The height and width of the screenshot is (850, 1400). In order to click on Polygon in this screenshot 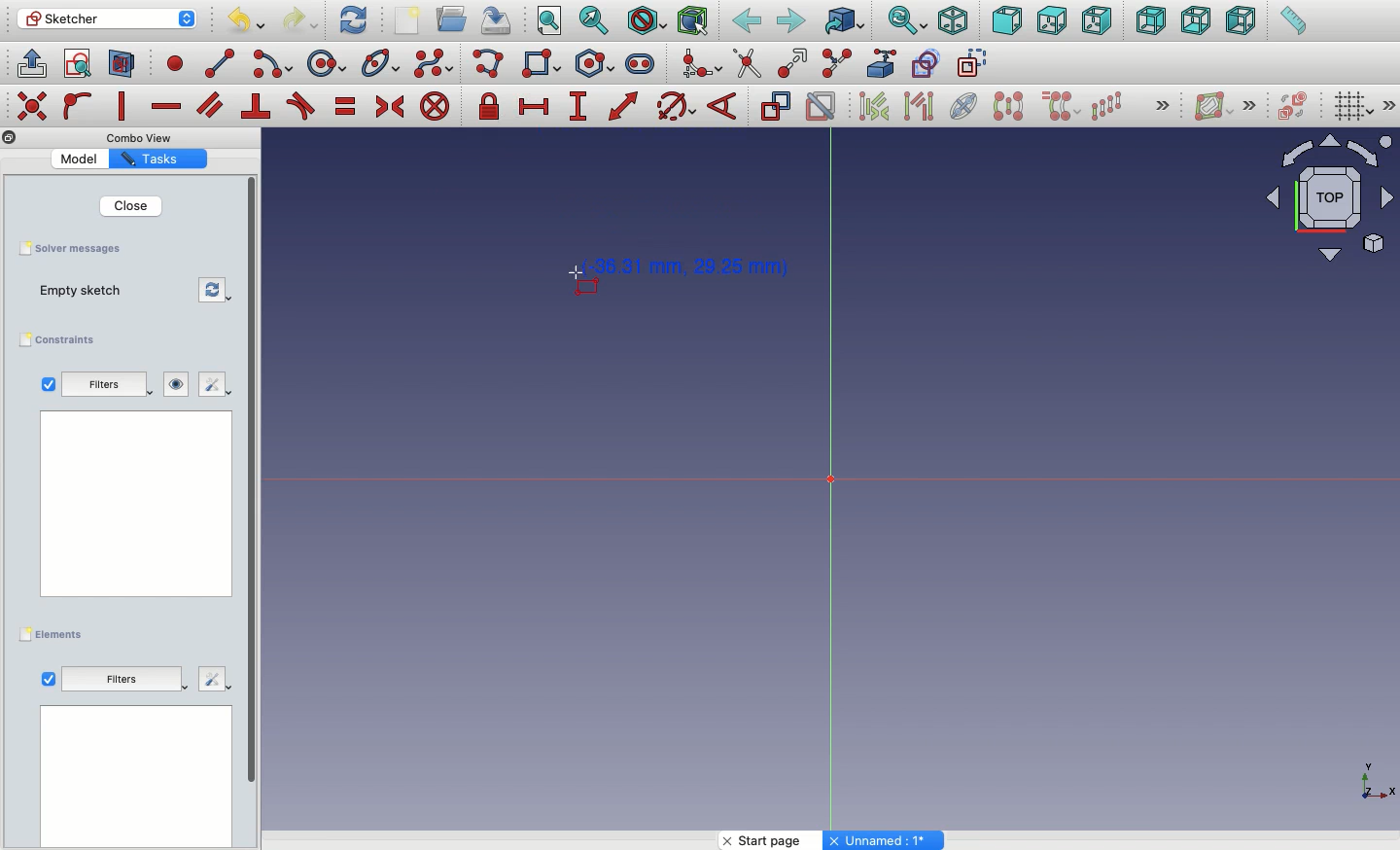, I will do `click(598, 64)`.